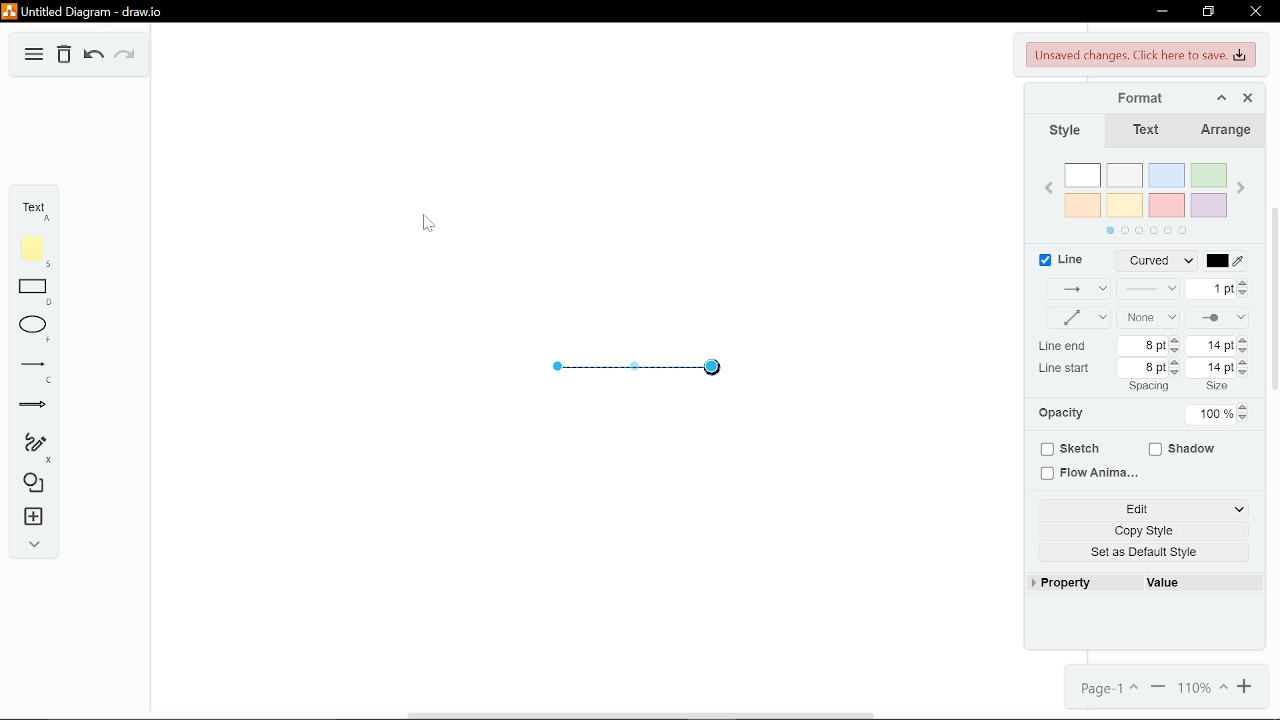 Image resolution: width=1280 pixels, height=720 pixels. Describe the element at coordinates (34, 542) in the screenshot. I see `Expand / collapse` at that location.